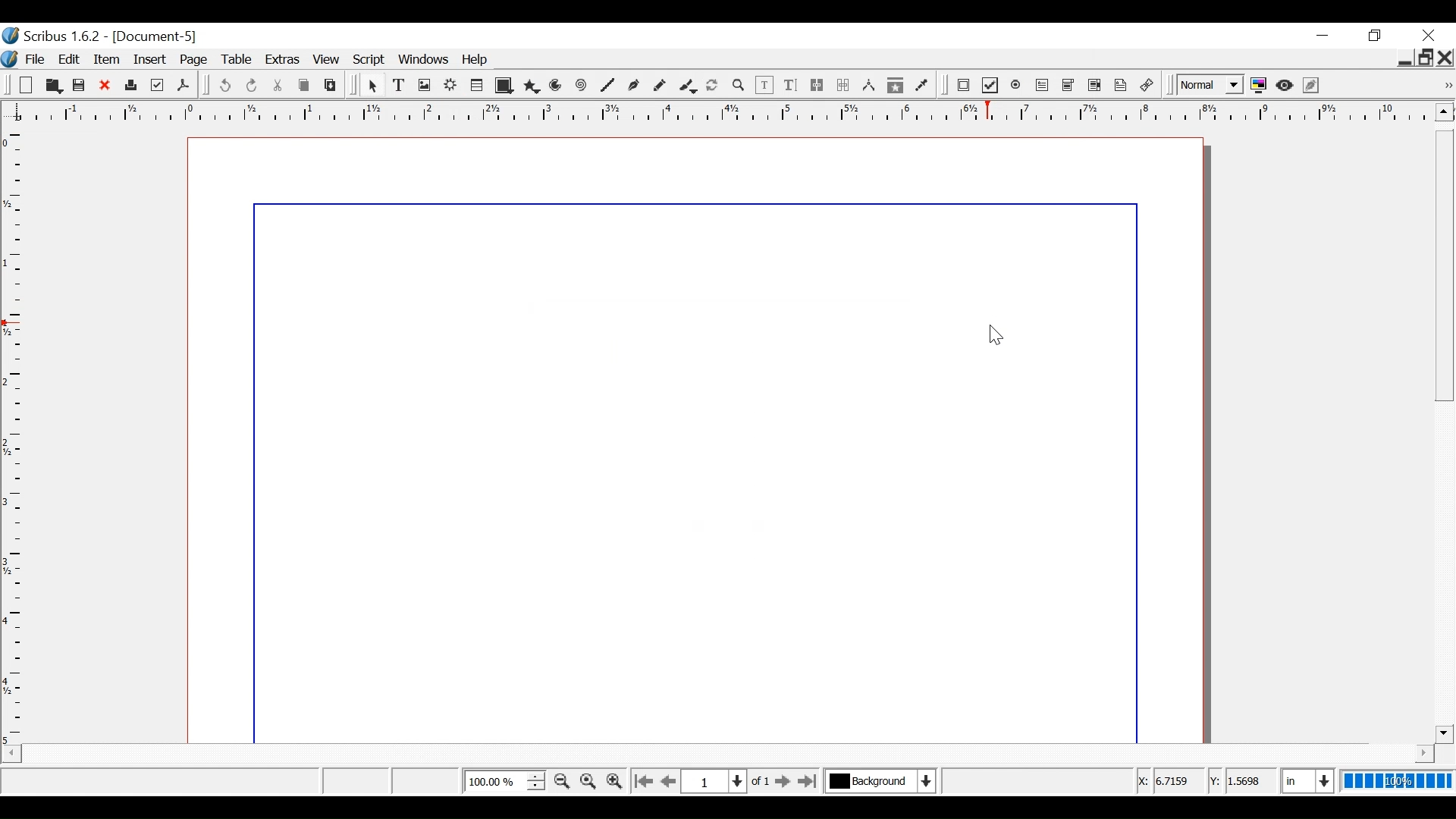 The width and height of the screenshot is (1456, 819). What do you see at coordinates (370, 61) in the screenshot?
I see `Script` at bounding box center [370, 61].